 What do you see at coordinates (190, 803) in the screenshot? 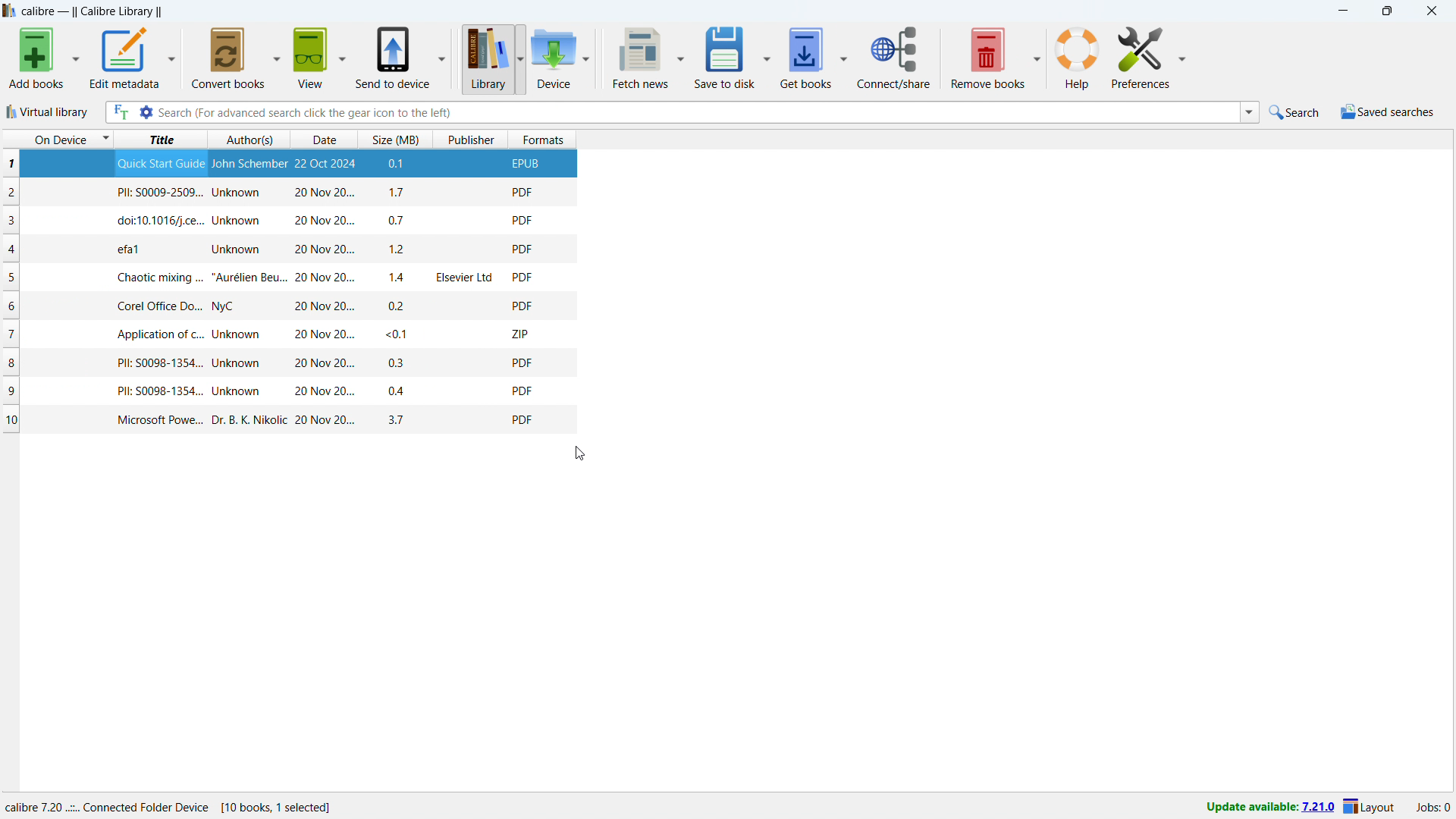
I see `details of the software program` at bounding box center [190, 803].